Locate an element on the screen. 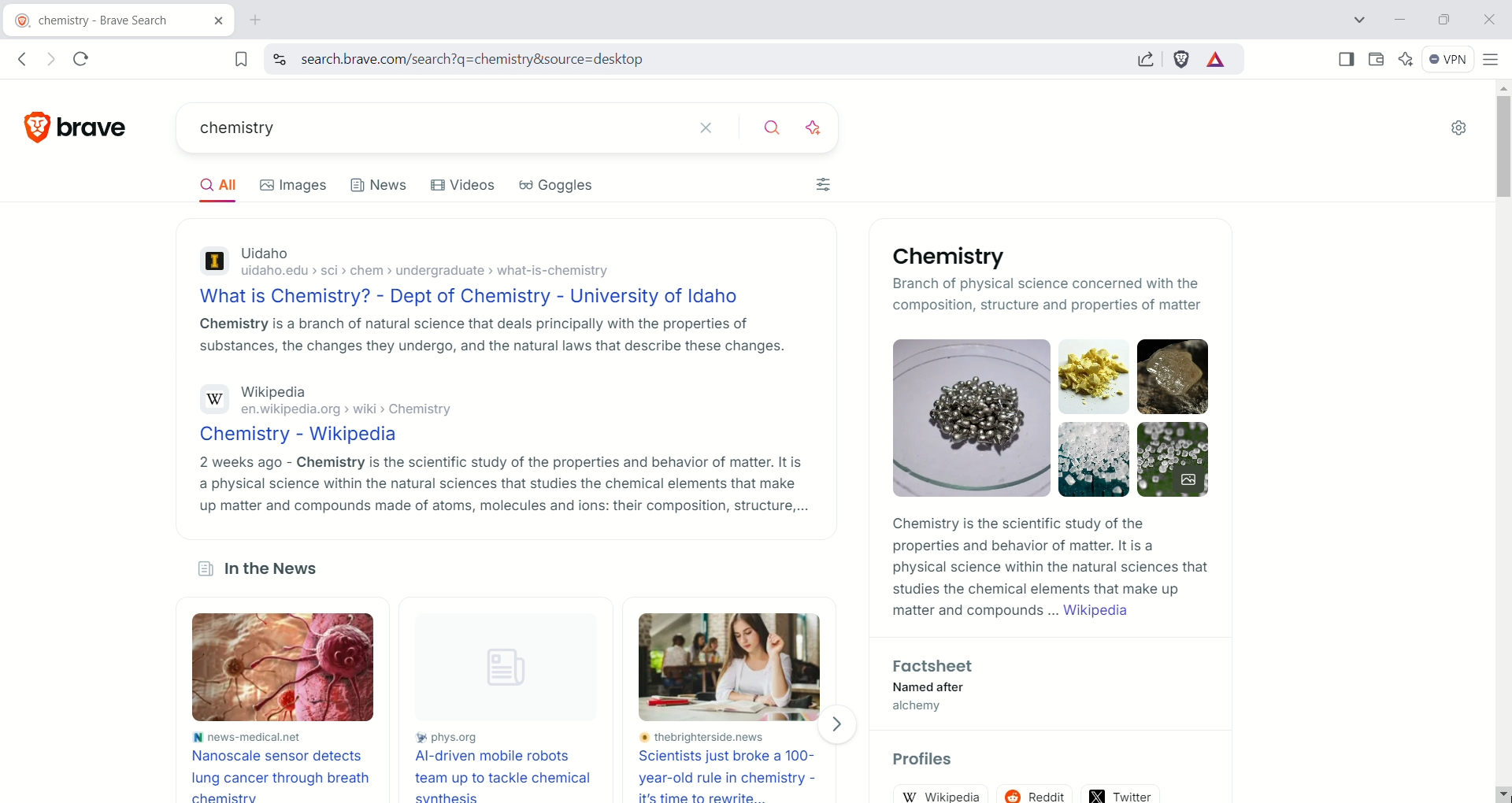 This screenshot has width=1512, height=803. answer with AI is located at coordinates (823, 125).